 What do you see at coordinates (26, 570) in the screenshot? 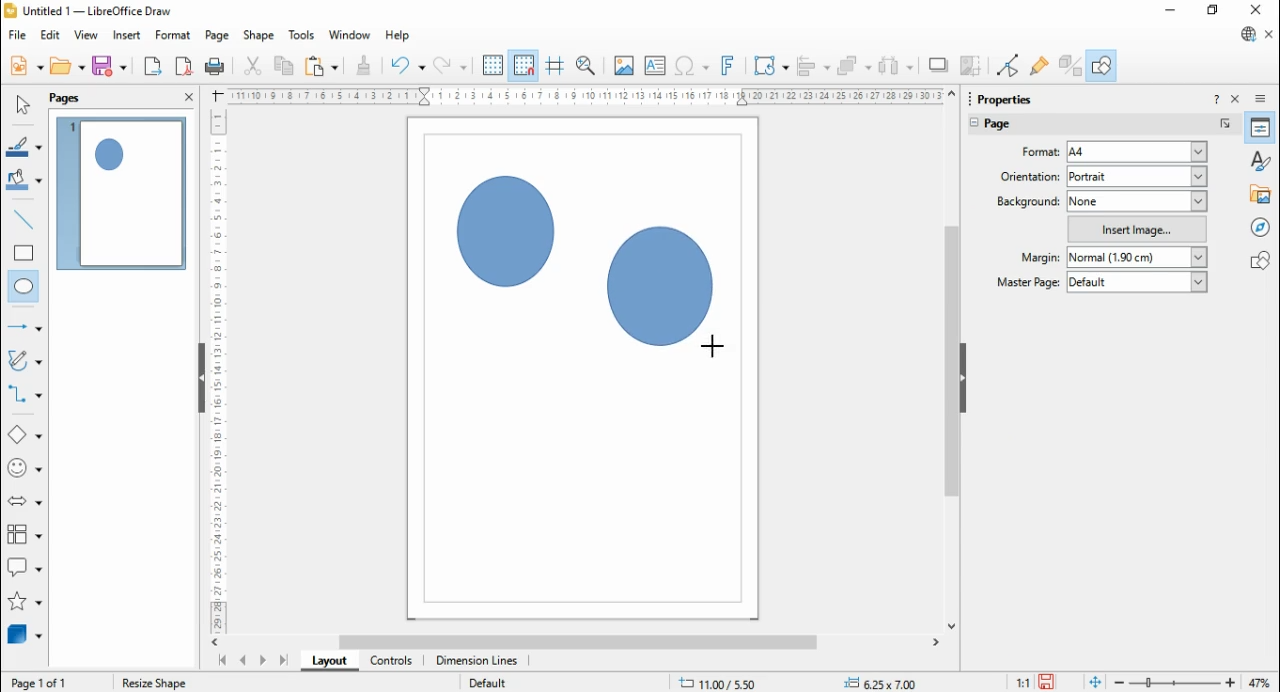
I see `callout shapes` at bounding box center [26, 570].